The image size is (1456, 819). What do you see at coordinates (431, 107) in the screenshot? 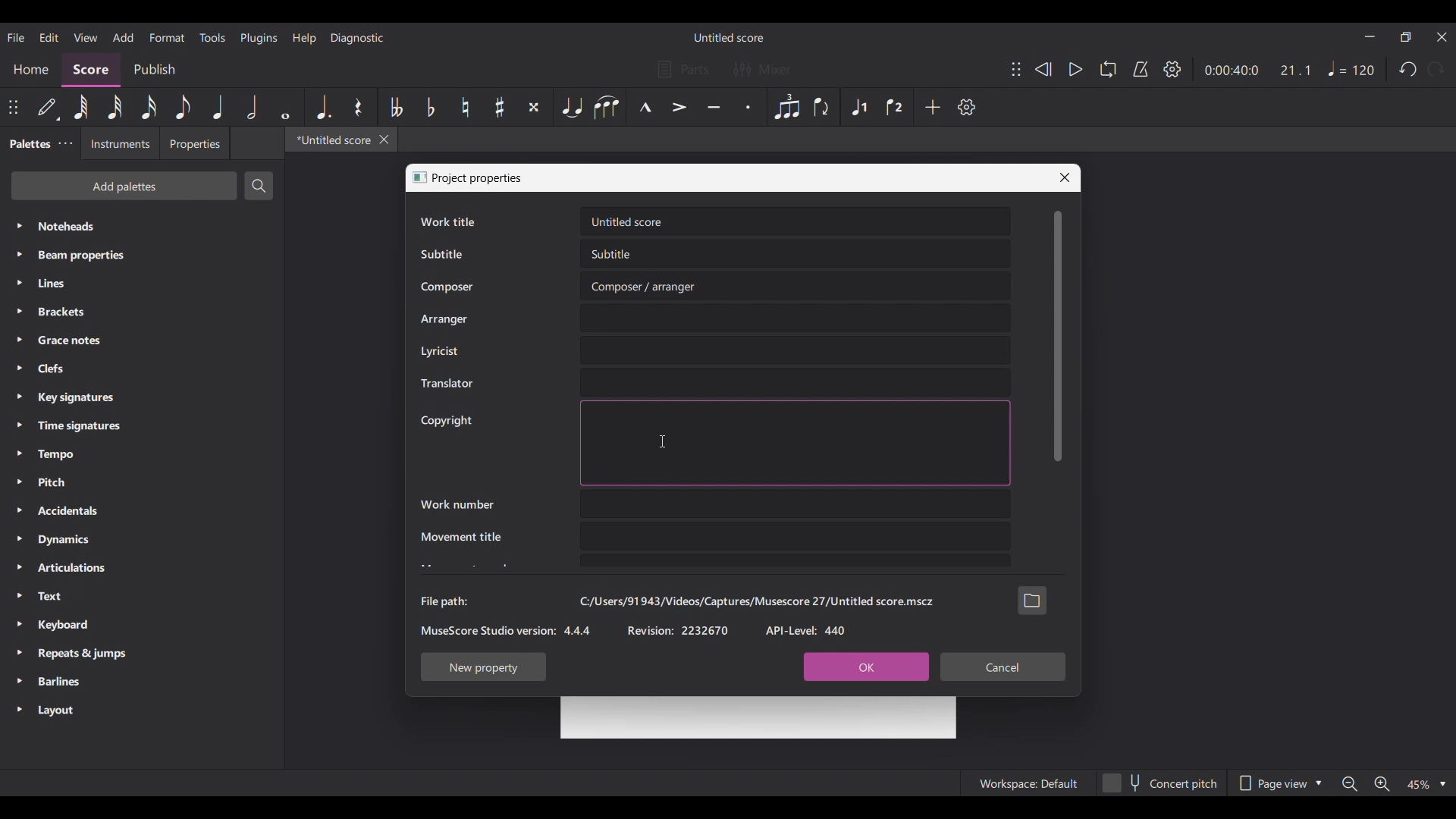
I see `Toggle flat` at bounding box center [431, 107].